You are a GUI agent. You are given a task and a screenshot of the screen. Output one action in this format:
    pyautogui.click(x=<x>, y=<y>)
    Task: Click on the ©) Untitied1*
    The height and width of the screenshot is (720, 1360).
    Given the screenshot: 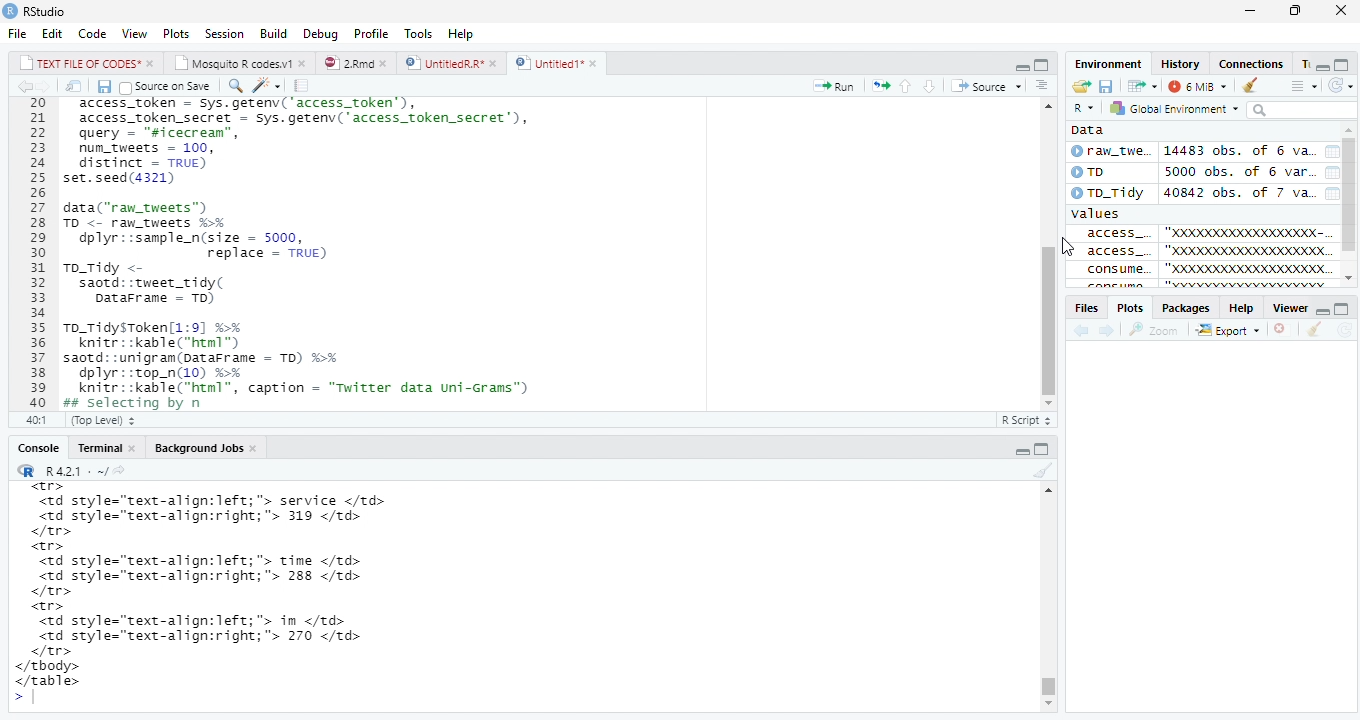 What is the action you would take?
    pyautogui.click(x=563, y=64)
    